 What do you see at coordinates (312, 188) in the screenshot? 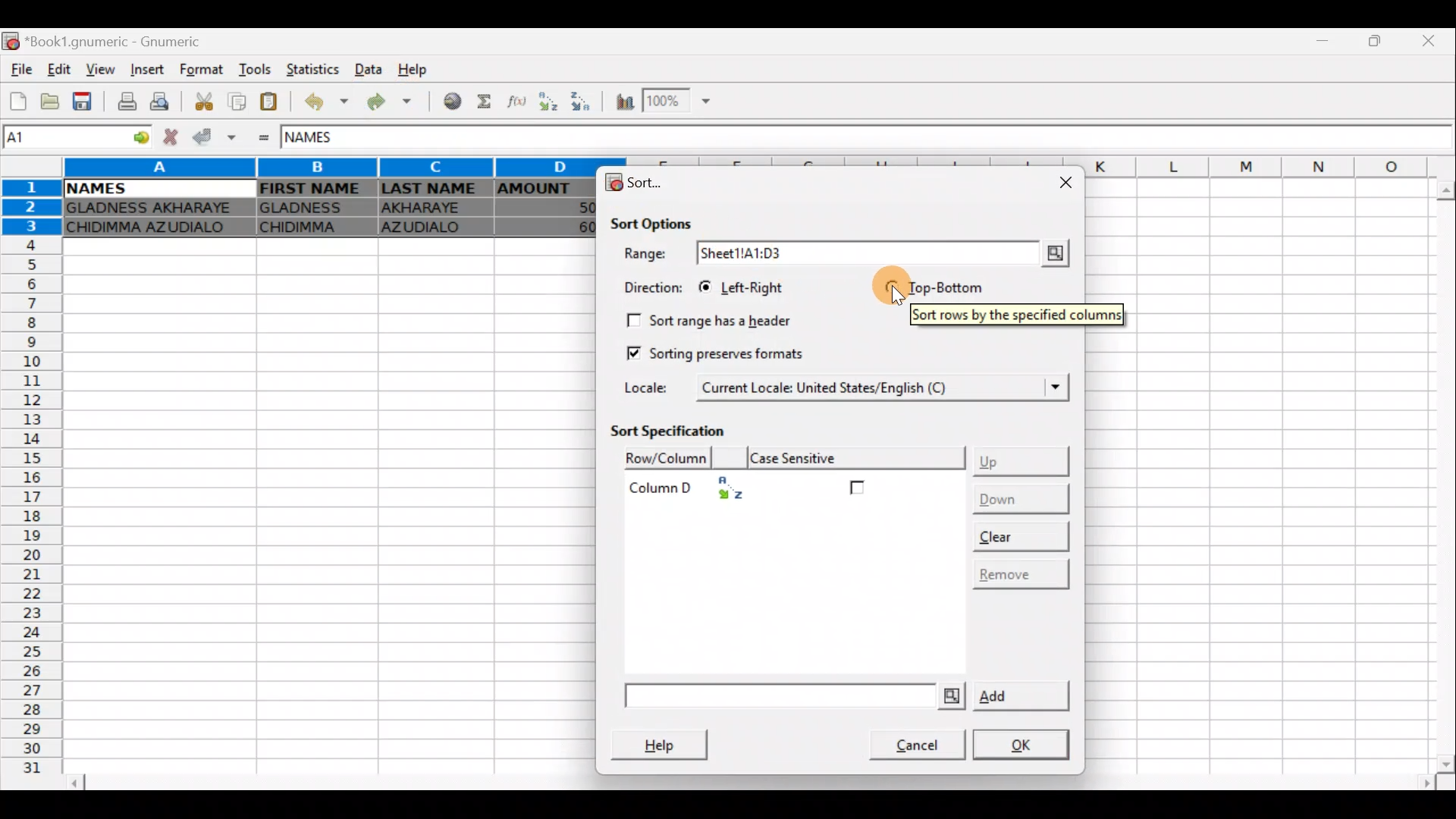
I see `FIRST NAME` at bounding box center [312, 188].